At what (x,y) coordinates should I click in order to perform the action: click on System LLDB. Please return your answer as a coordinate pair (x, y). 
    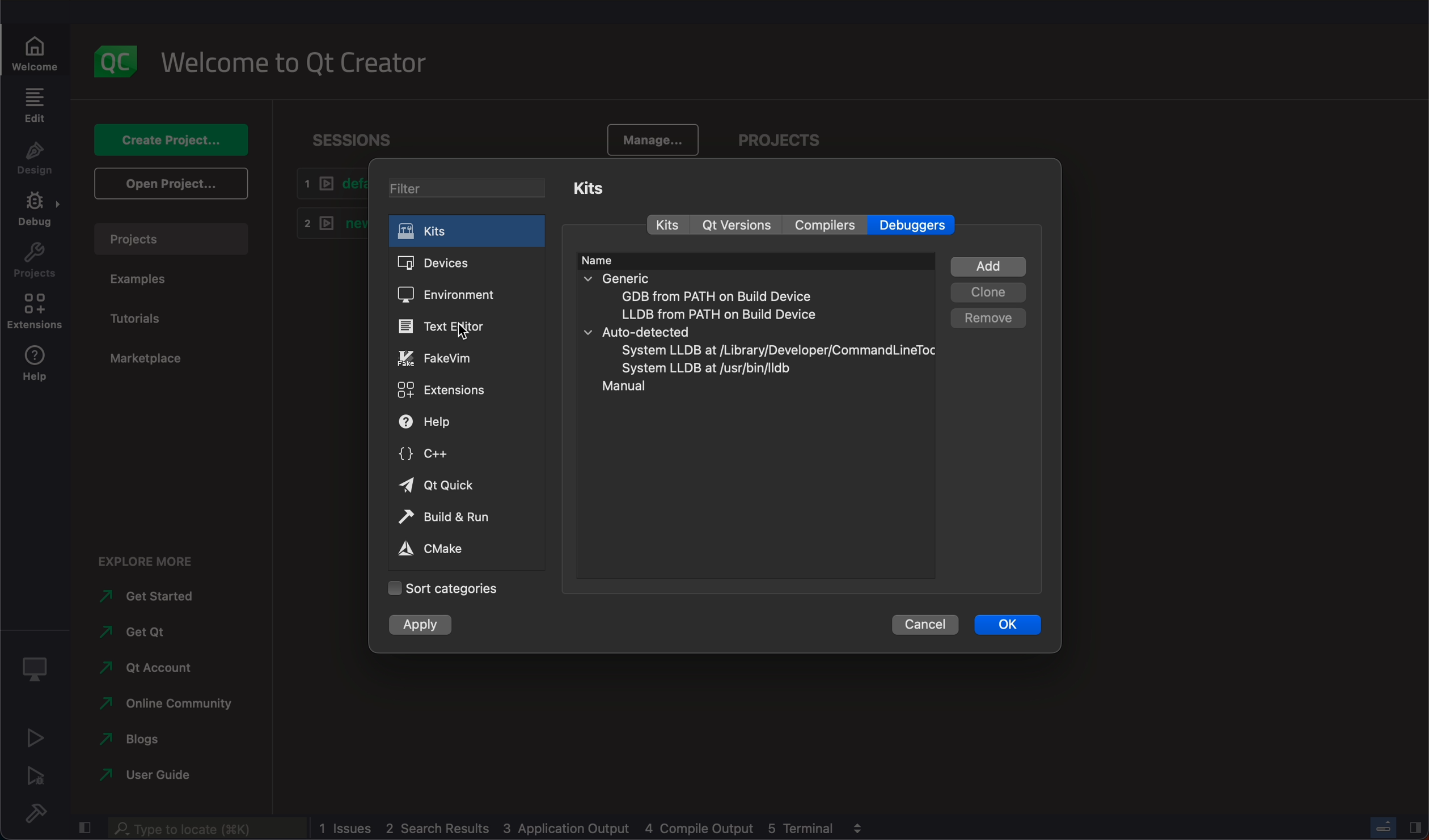
    Looking at the image, I should click on (773, 350).